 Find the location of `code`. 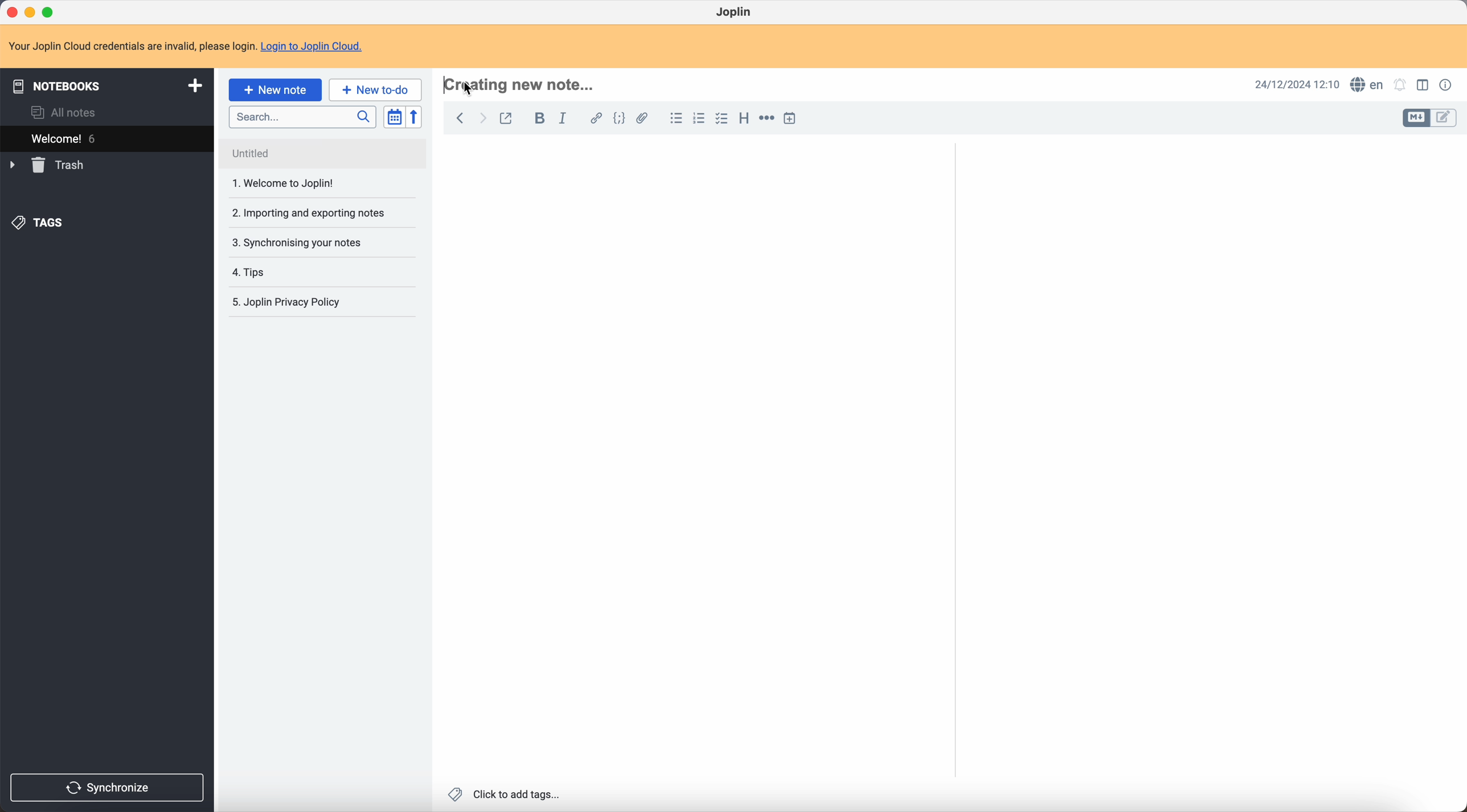

code is located at coordinates (621, 119).